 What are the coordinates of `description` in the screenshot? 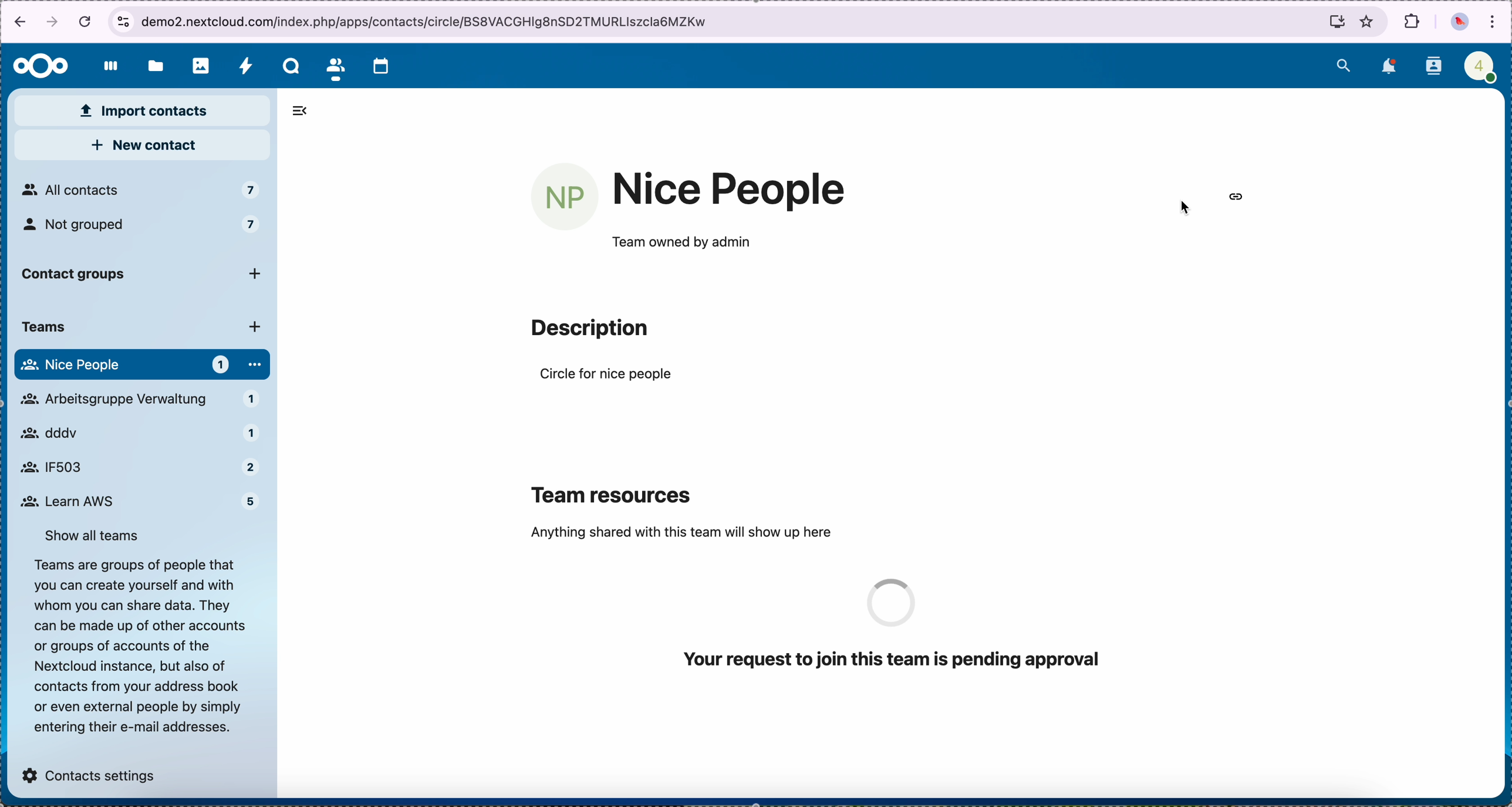 It's located at (136, 645).